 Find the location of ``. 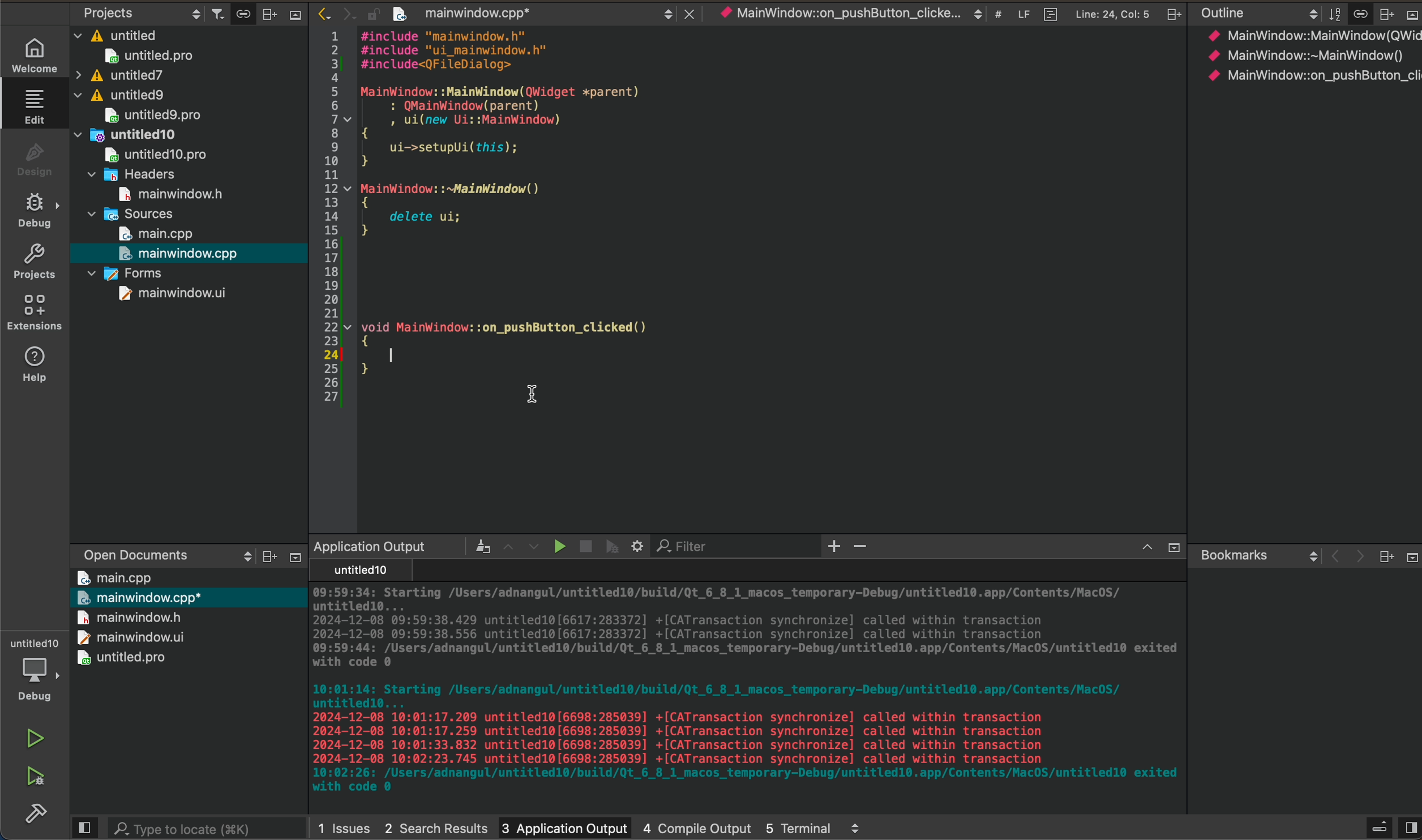

 is located at coordinates (268, 12).